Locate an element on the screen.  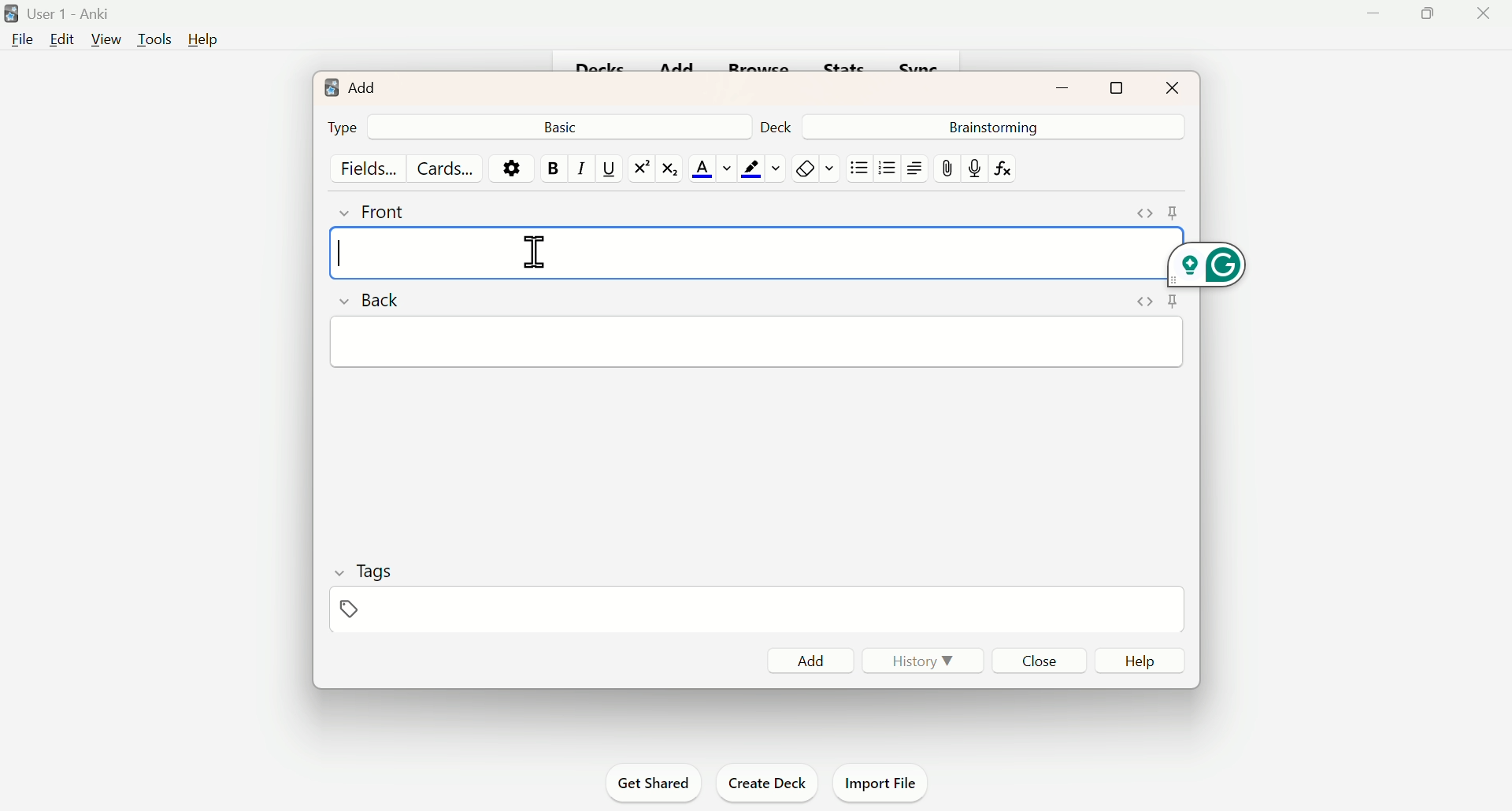
Import File is located at coordinates (882, 780).